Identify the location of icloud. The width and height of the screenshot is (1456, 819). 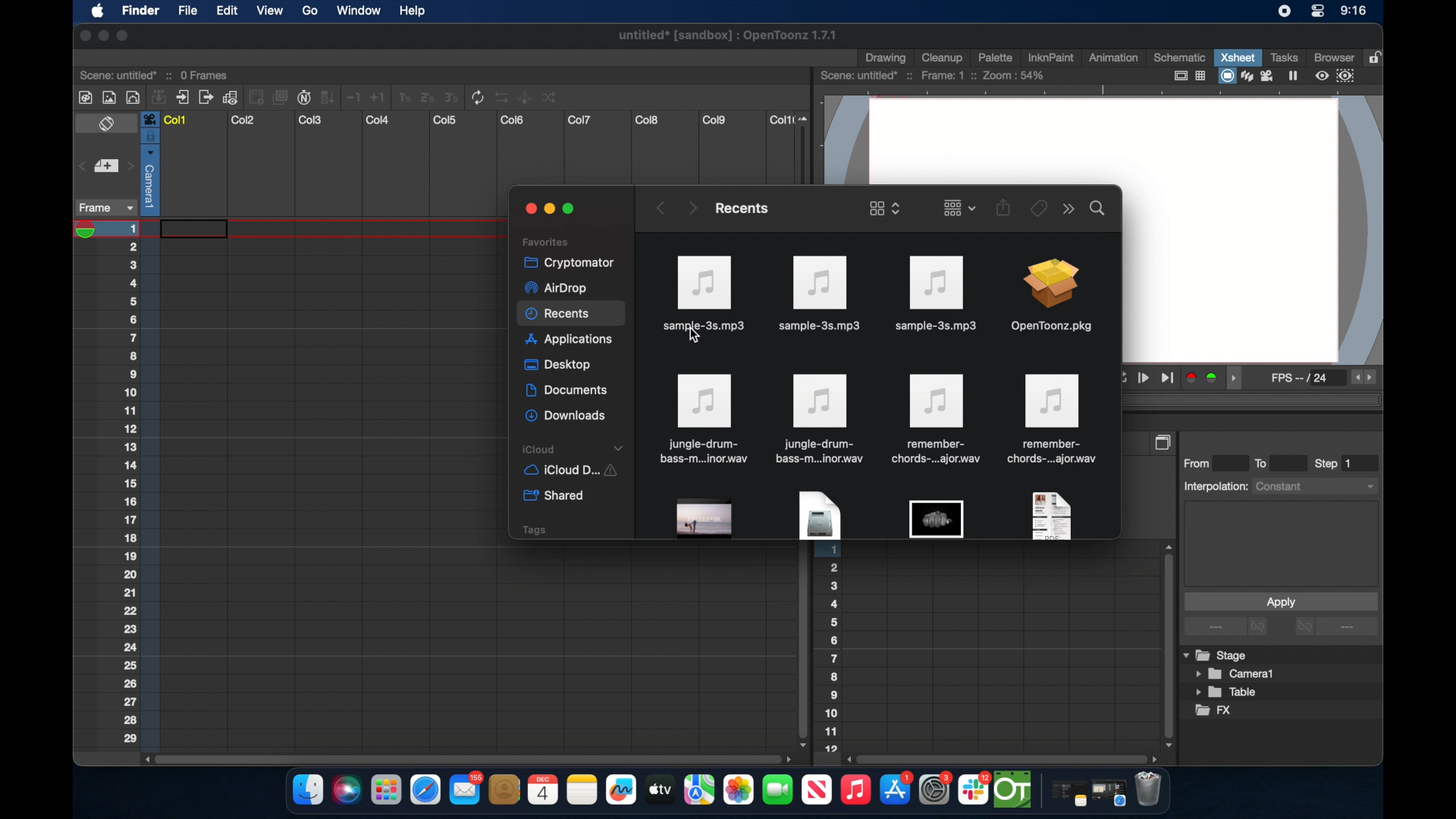
(575, 449).